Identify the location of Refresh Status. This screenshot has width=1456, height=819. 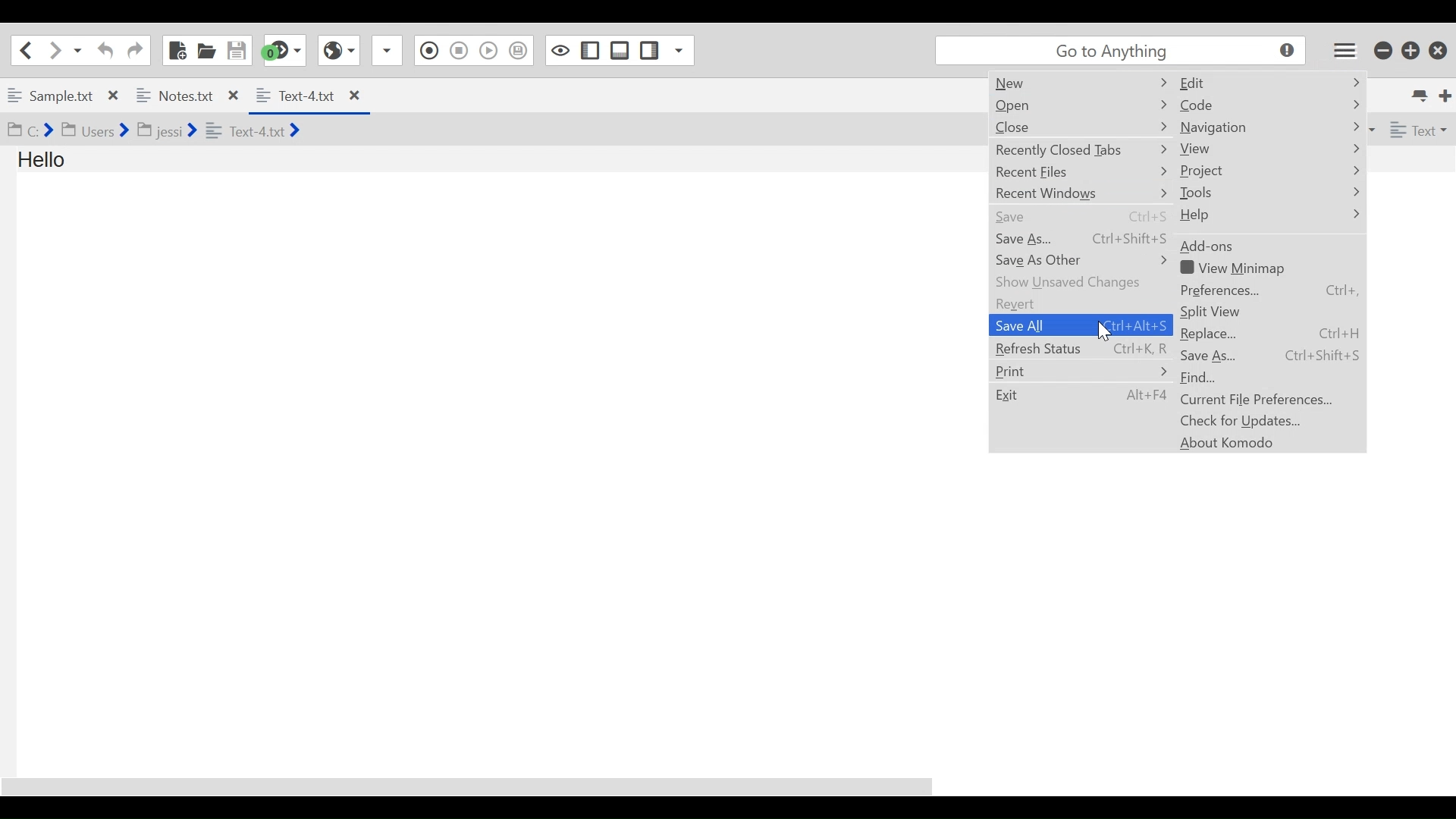
(1080, 348).